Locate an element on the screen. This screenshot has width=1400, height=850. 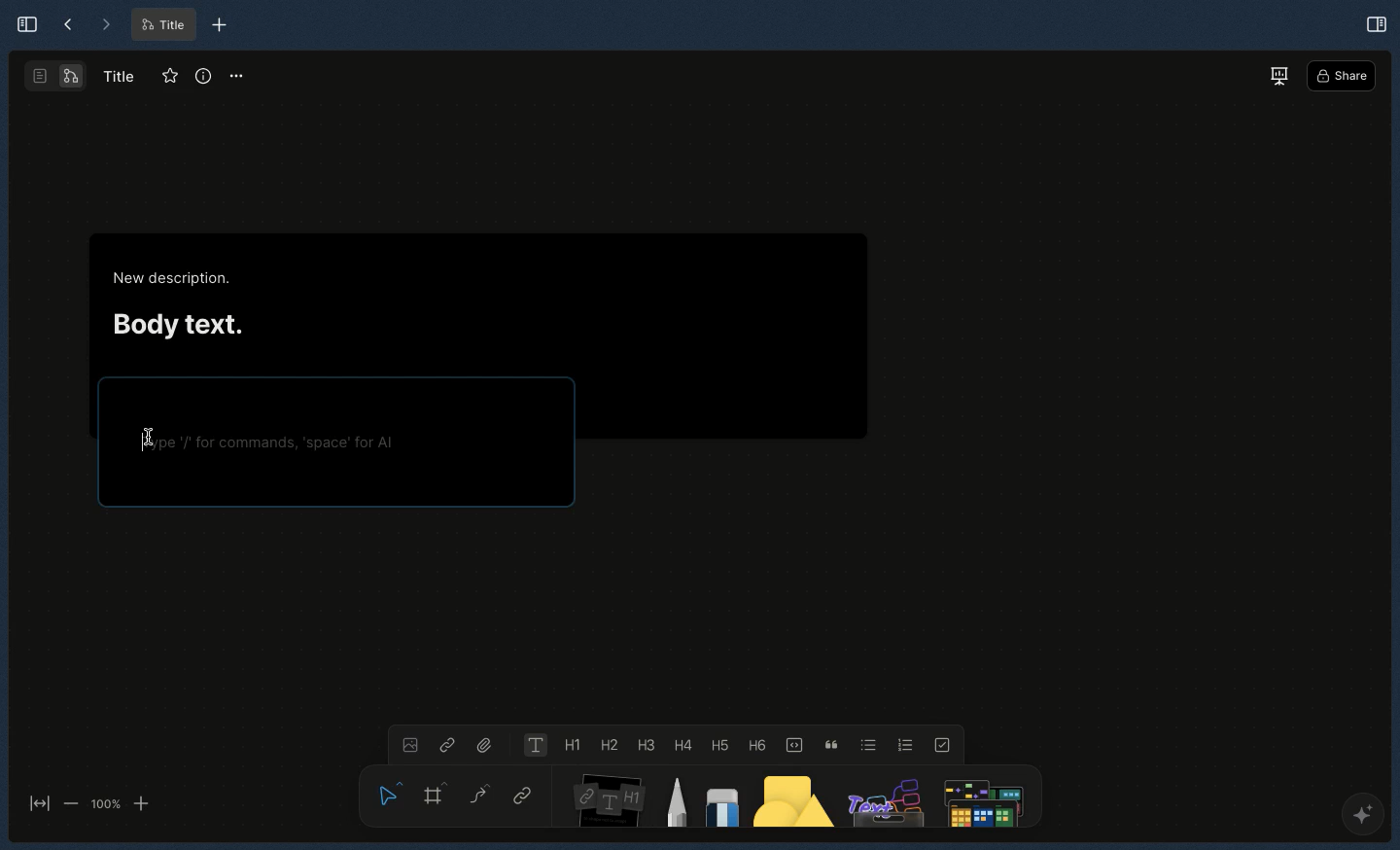
Open right panel is located at coordinates (1376, 22).